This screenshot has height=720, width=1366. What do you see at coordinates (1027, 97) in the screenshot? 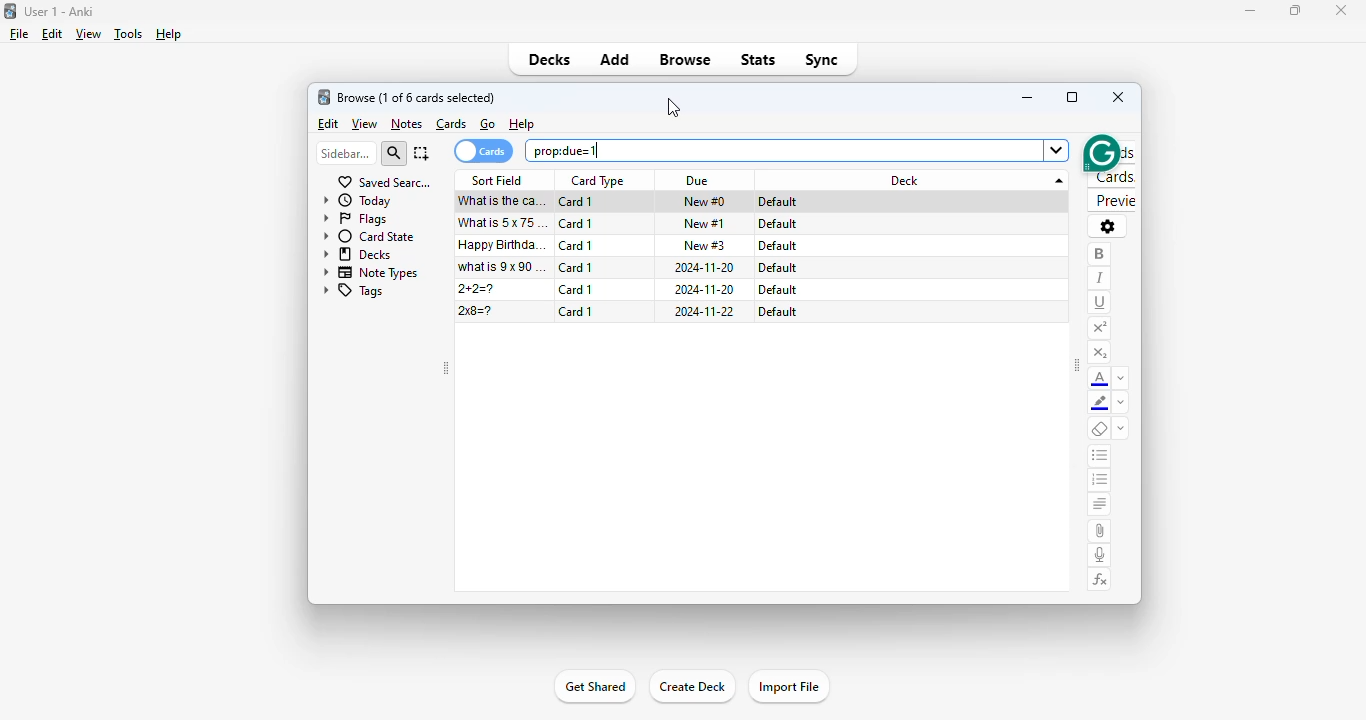
I see `minimize` at bounding box center [1027, 97].